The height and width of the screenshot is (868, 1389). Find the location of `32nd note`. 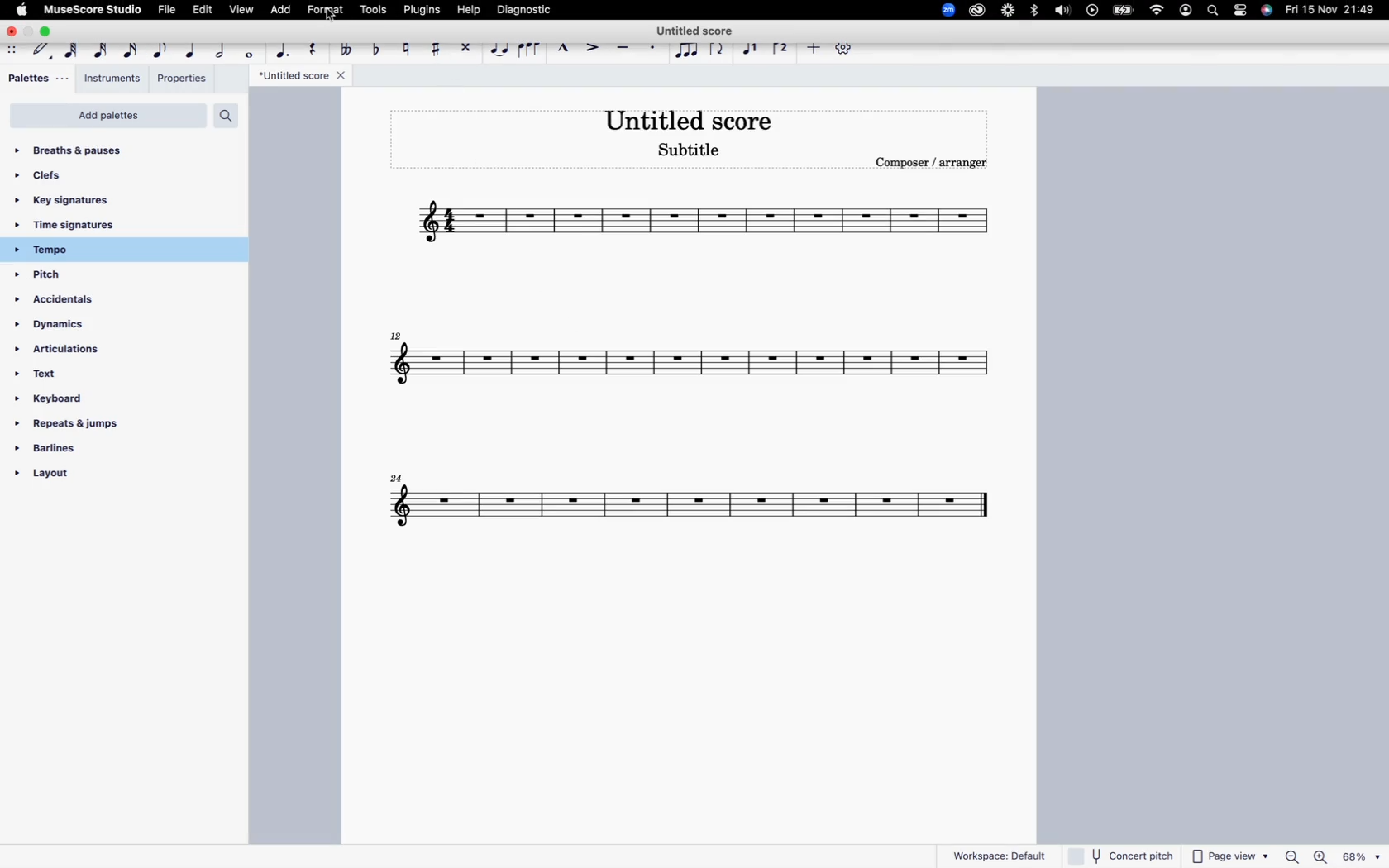

32nd note is located at coordinates (102, 48).